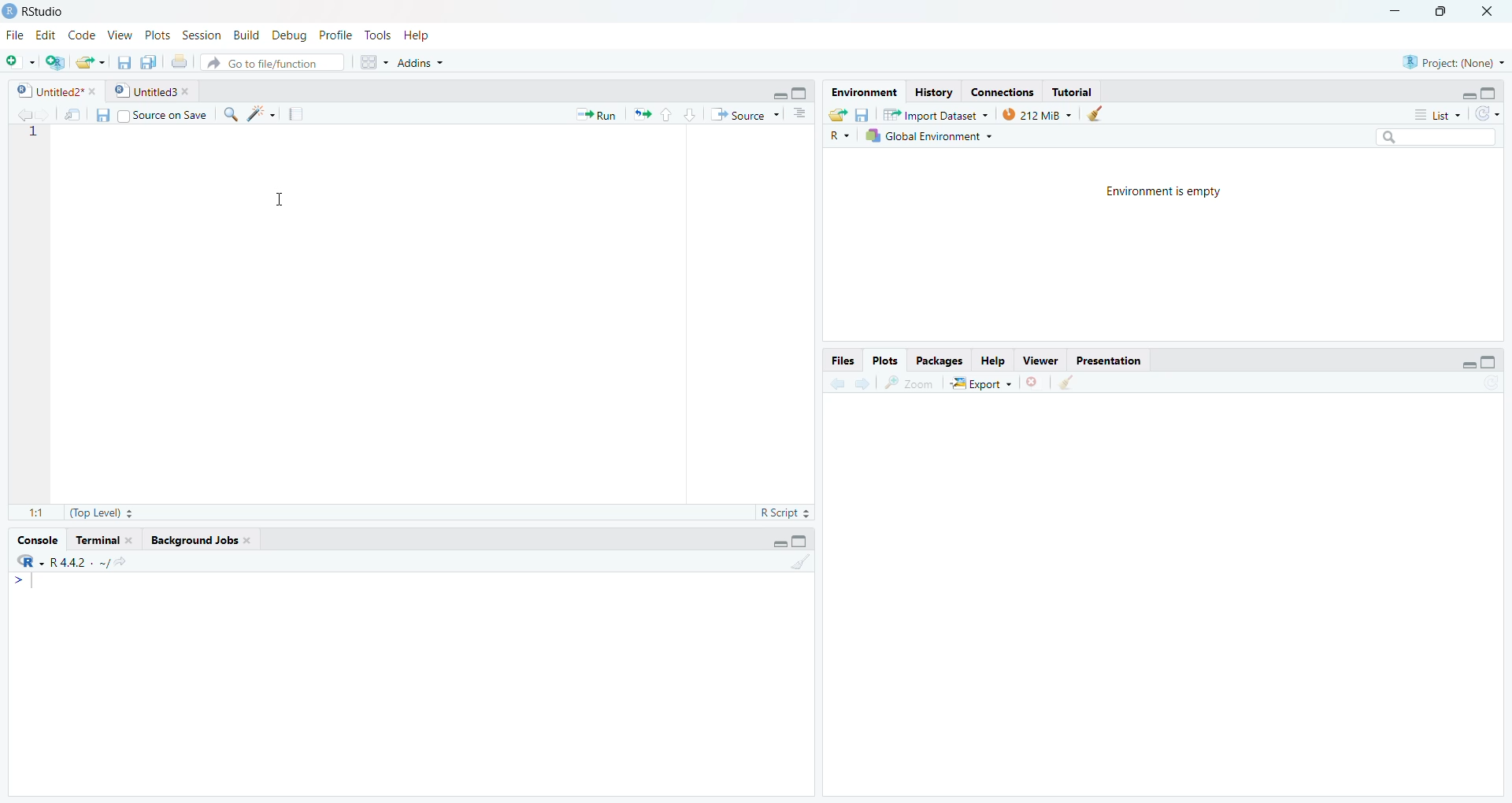 The height and width of the screenshot is (803, 1512). What do you see at coordinates (55, 61) in the screenshot?
I see `create a project` at bounding box center [55, 61].